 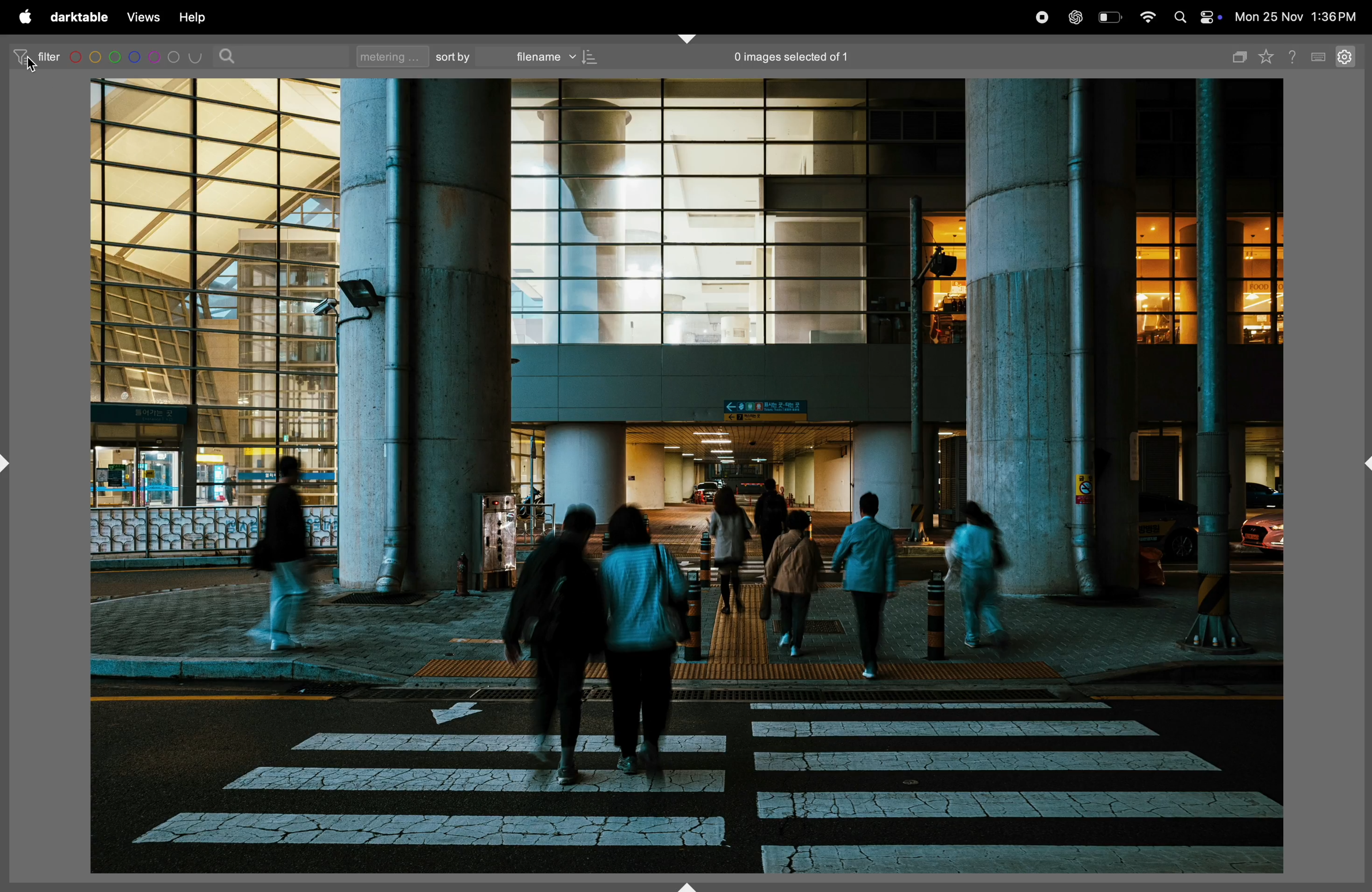 I want to click on battery, so click(x=1111, y=16).